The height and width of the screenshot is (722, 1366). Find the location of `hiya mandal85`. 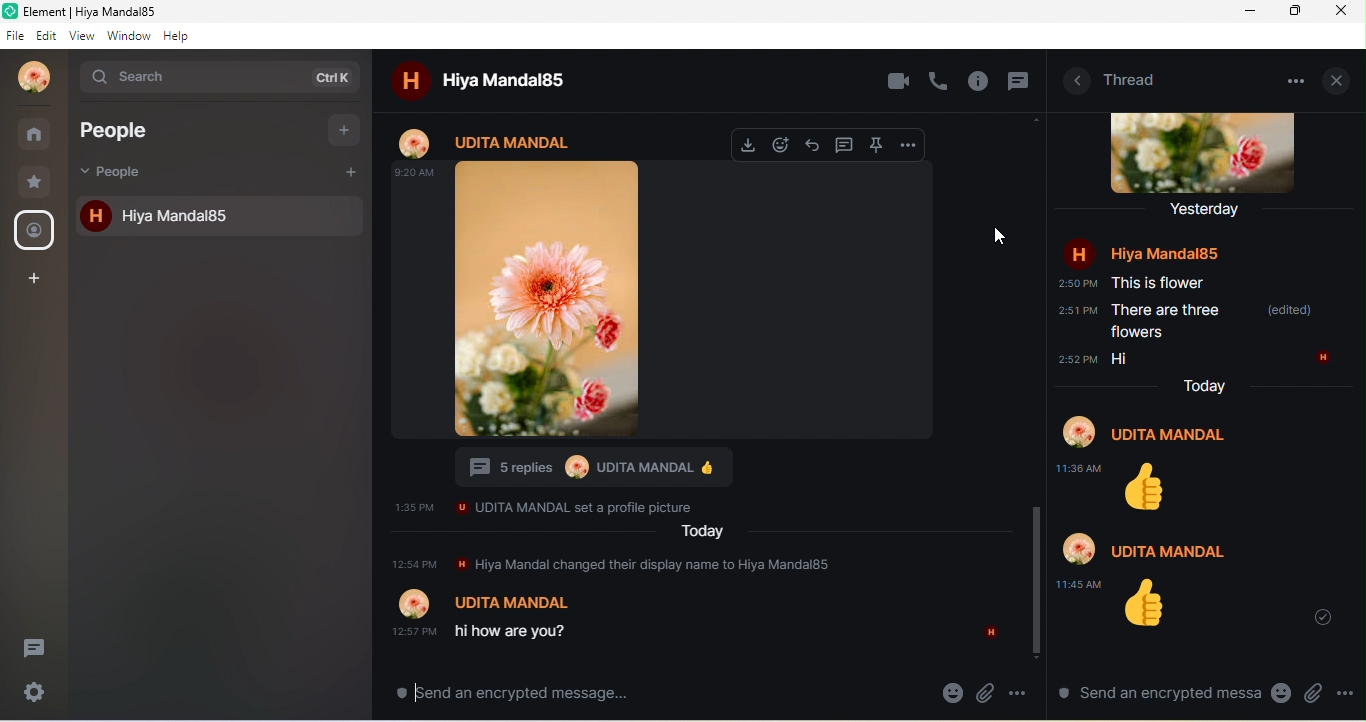

hiya mandal85 is located at coordinates (240, 215).